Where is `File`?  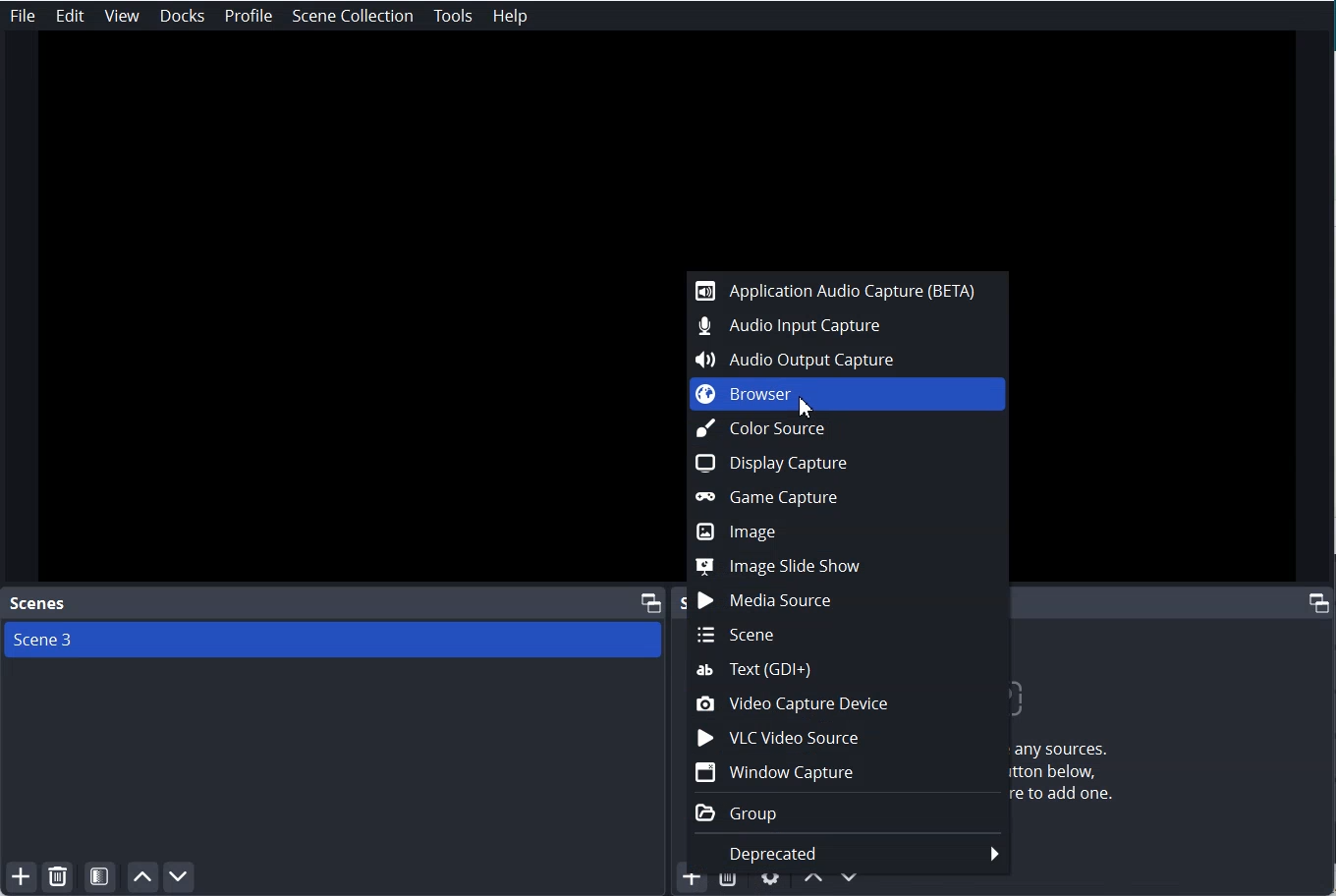
File is located at coordinates (23, 15).